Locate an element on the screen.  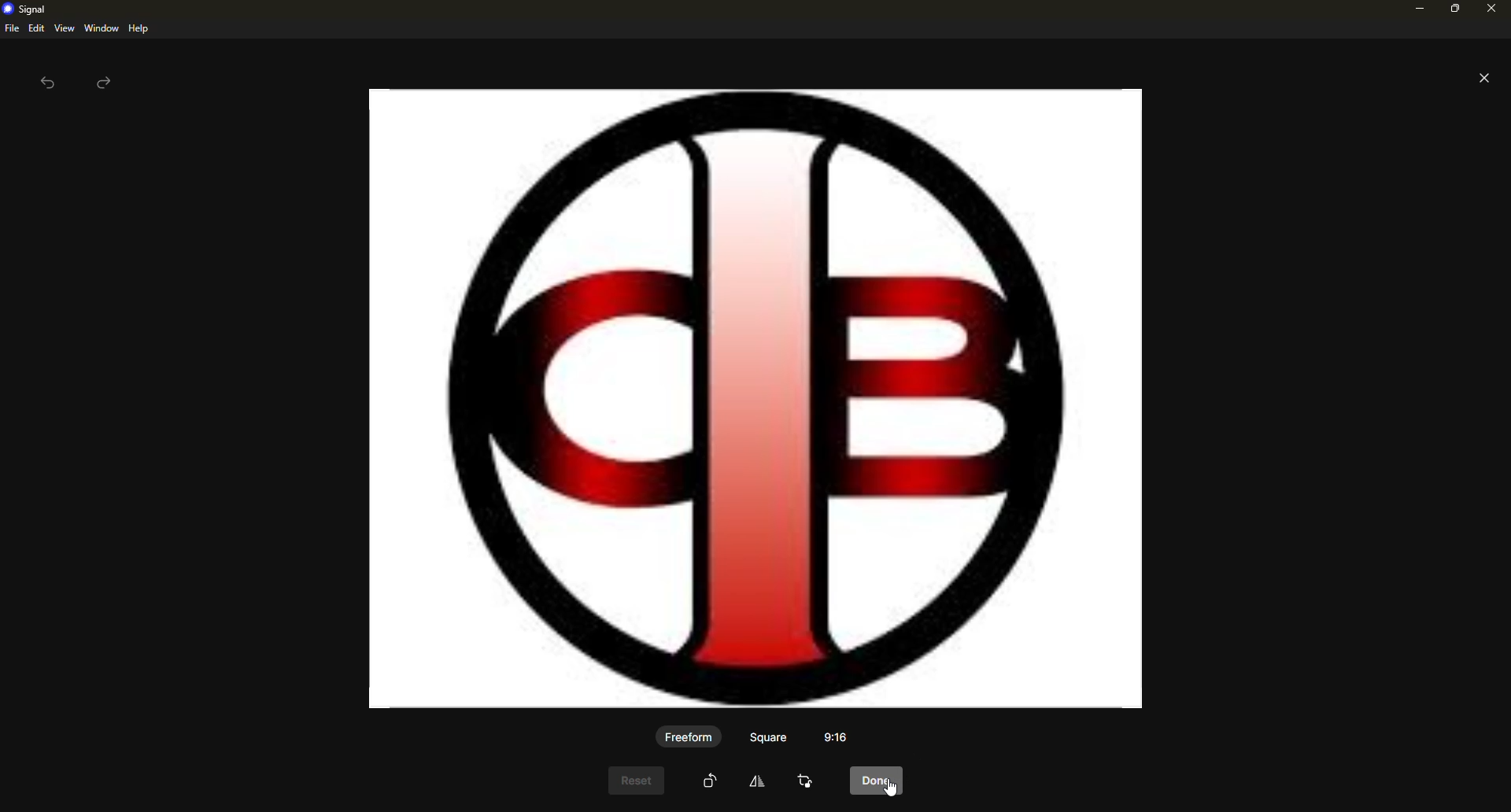
file is located at coordinates (11, 28).